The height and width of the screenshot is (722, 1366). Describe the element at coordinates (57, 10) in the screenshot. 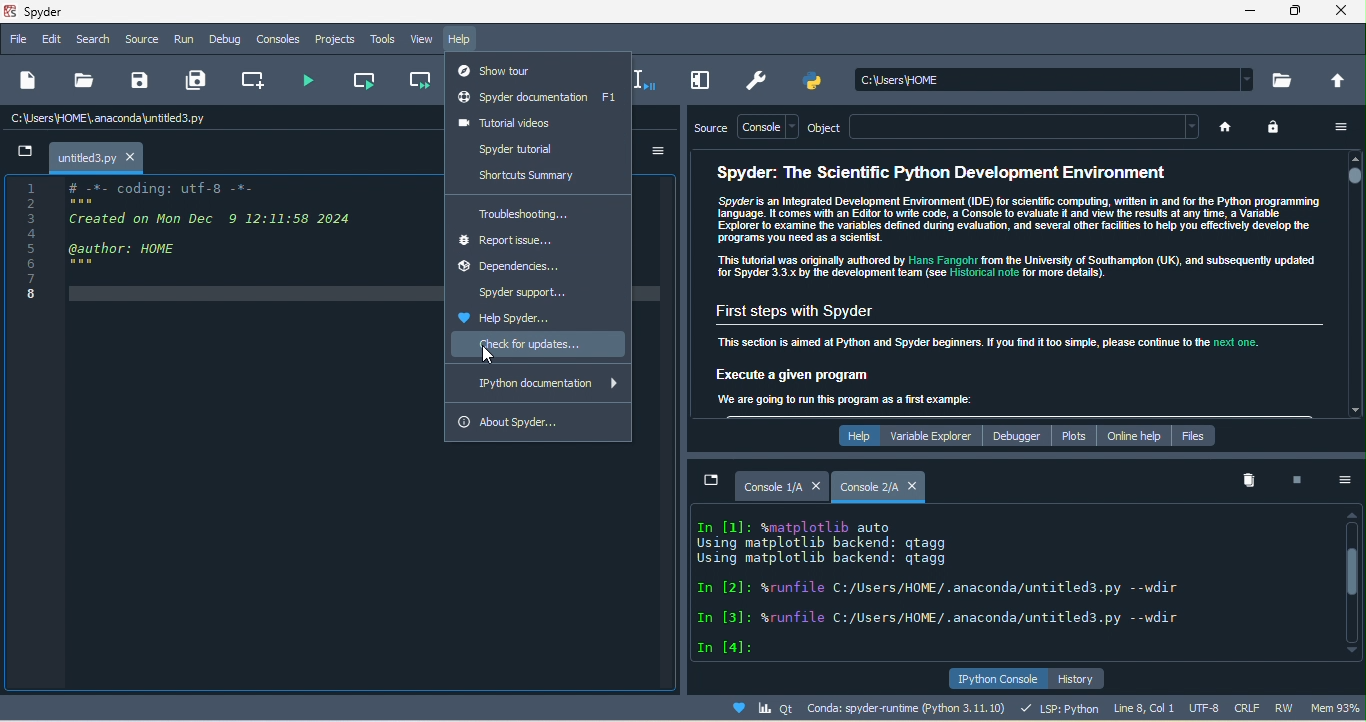

I see `title` at that location.